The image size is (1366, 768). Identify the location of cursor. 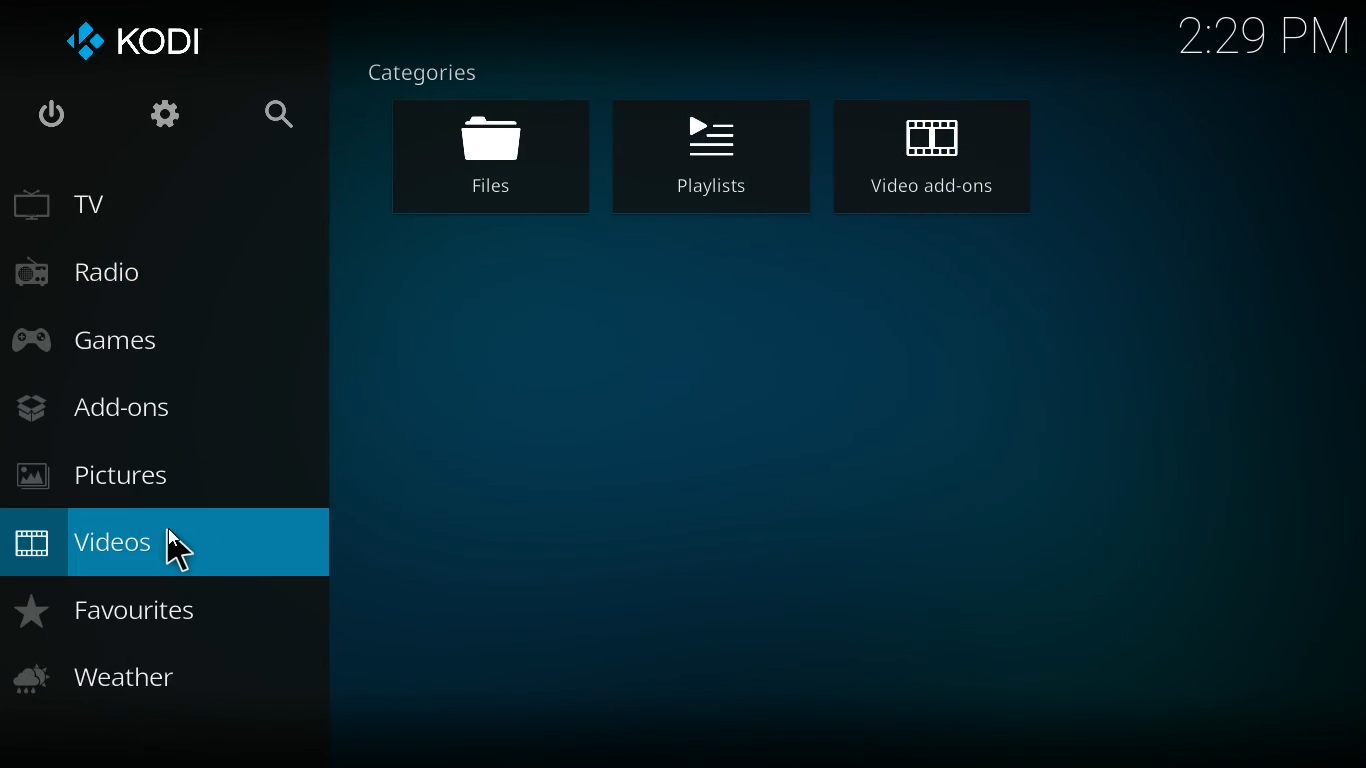
(179, 550).